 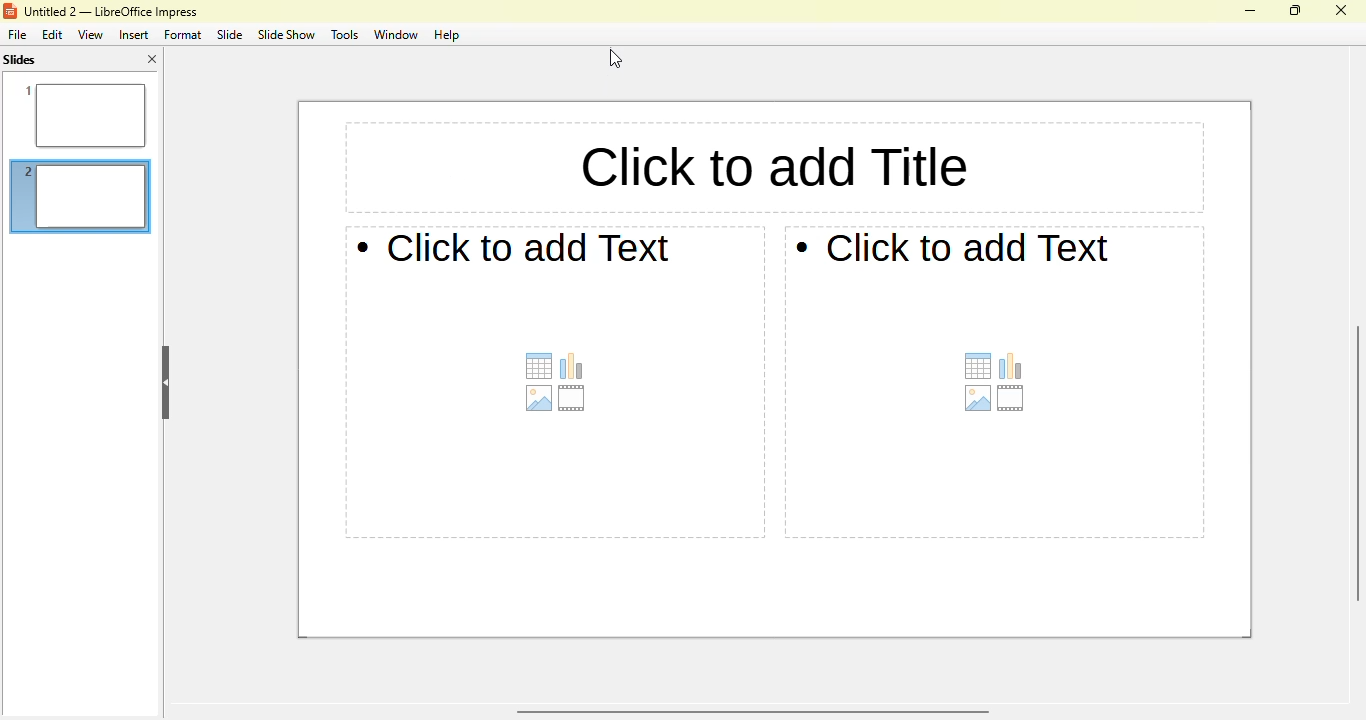 I want to click on help, so click(x=447, y=35).